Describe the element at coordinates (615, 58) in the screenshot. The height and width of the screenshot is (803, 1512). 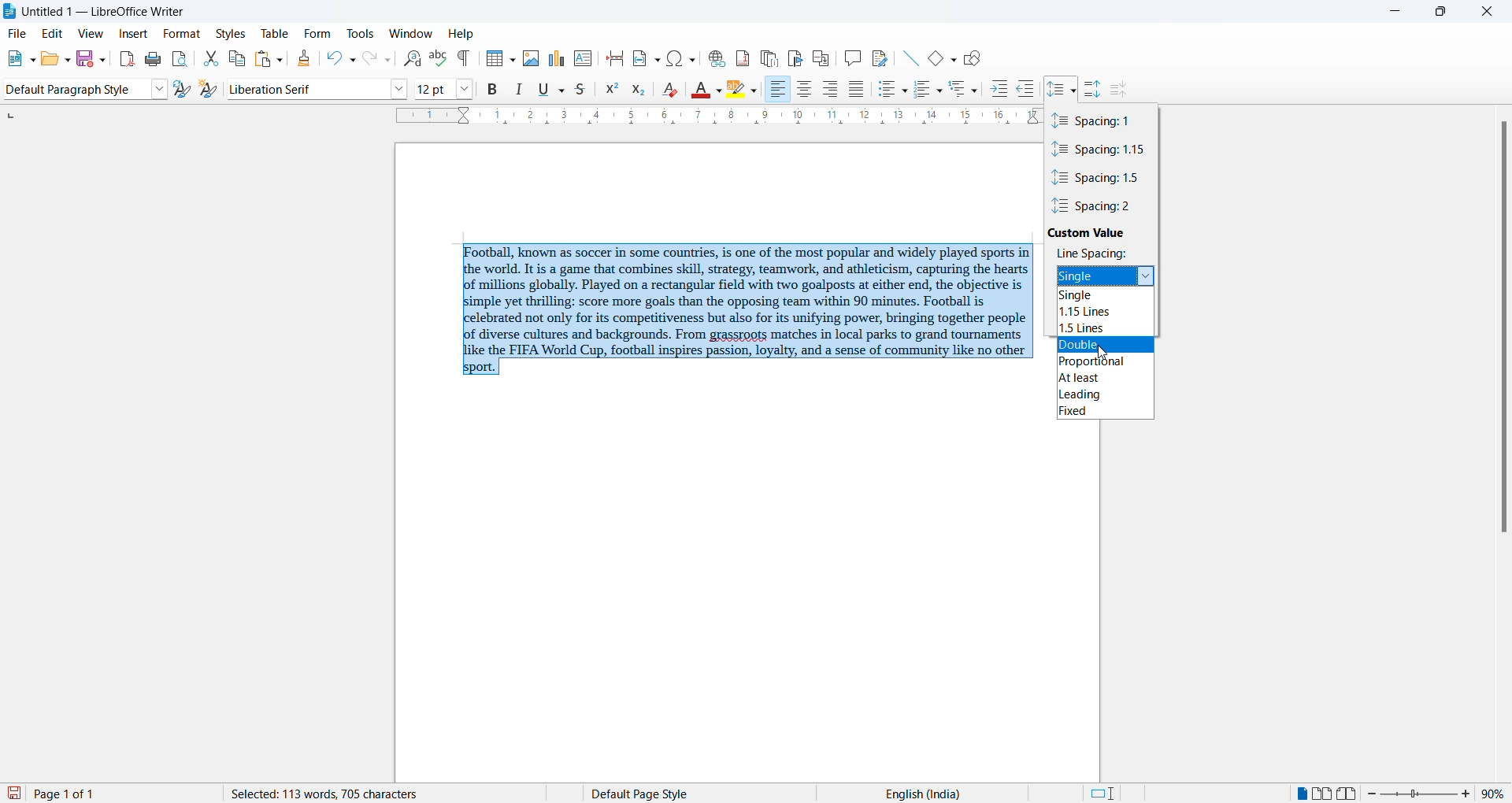
I see `page break` at that location.